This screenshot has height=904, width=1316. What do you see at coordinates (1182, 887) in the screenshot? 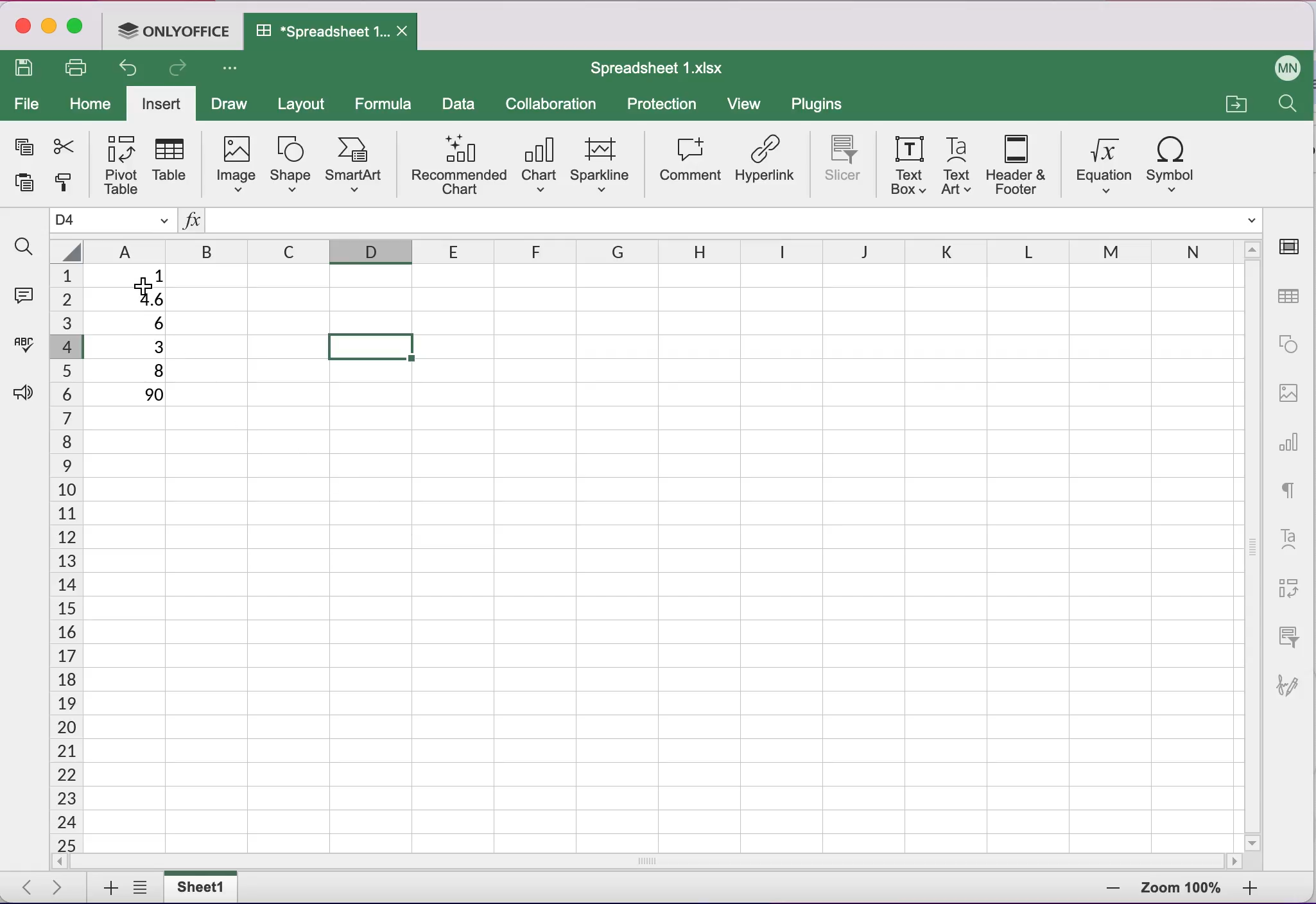
I see `zoom percentage` at bounding box center [1182, 887].